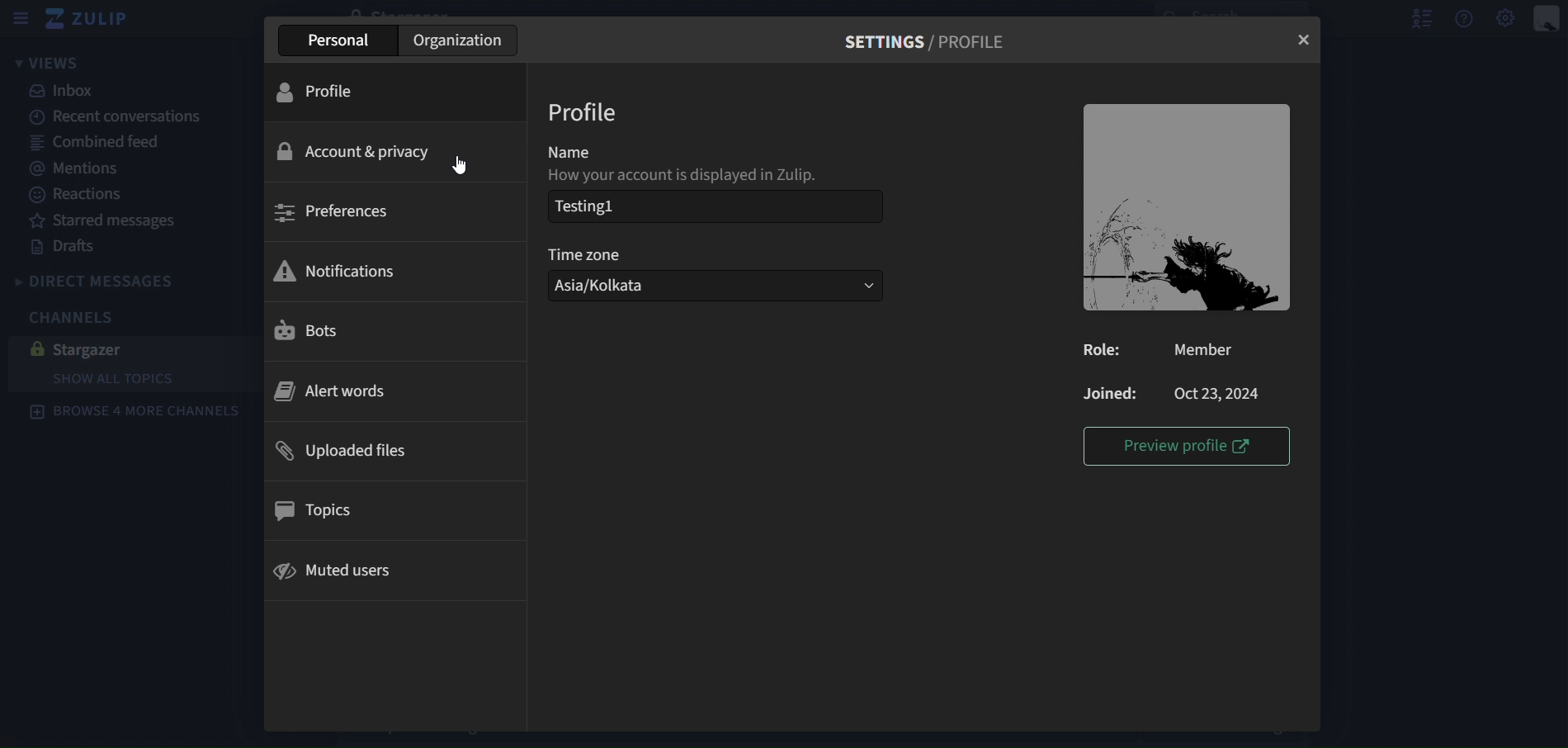  I want to click on browse 4 more channels, so click(132, 411).